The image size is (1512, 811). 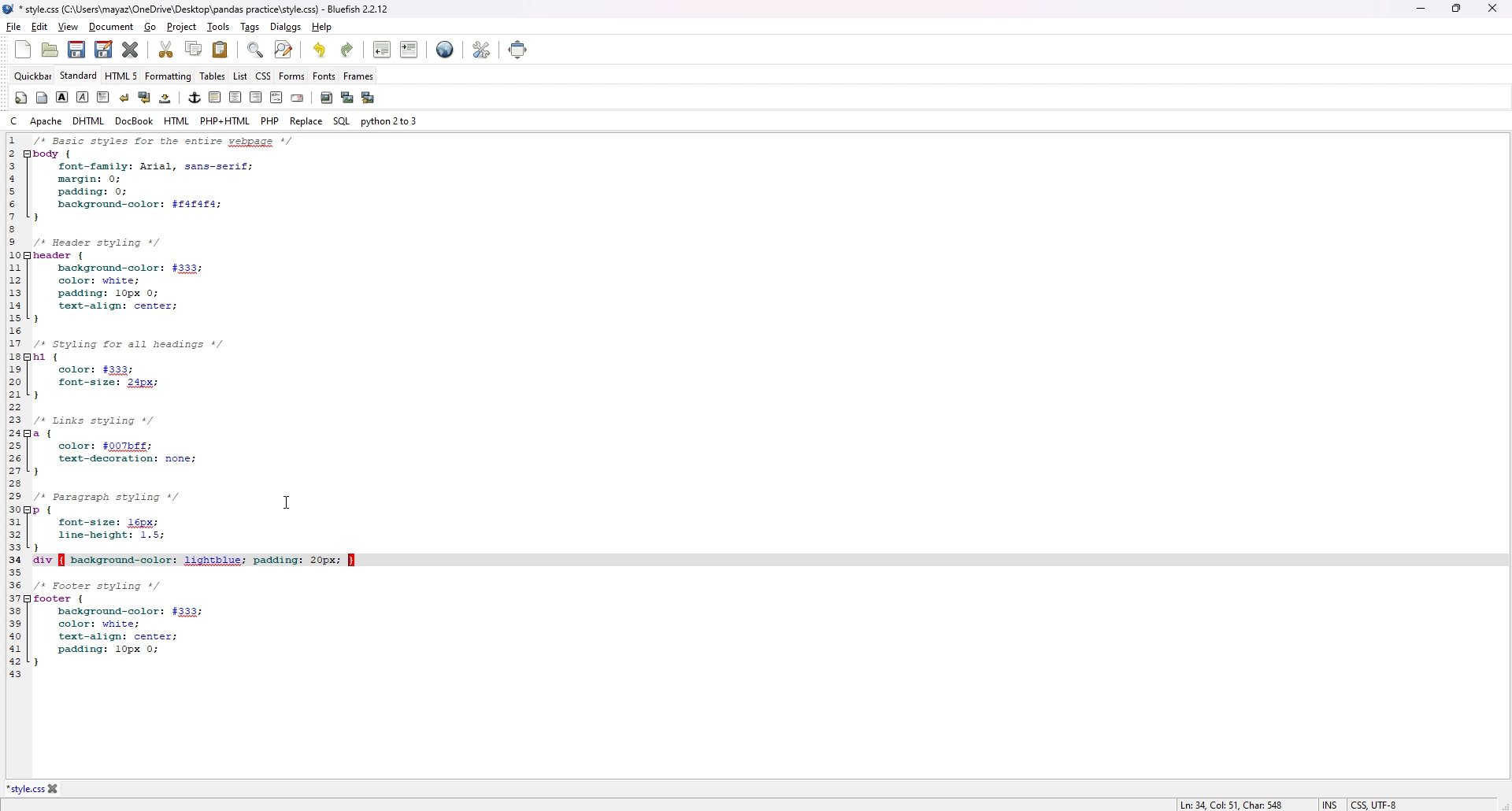 What do you see at coordinates (124, 98) in the screenshot?
I see `break` at bounding box center [124, 98].